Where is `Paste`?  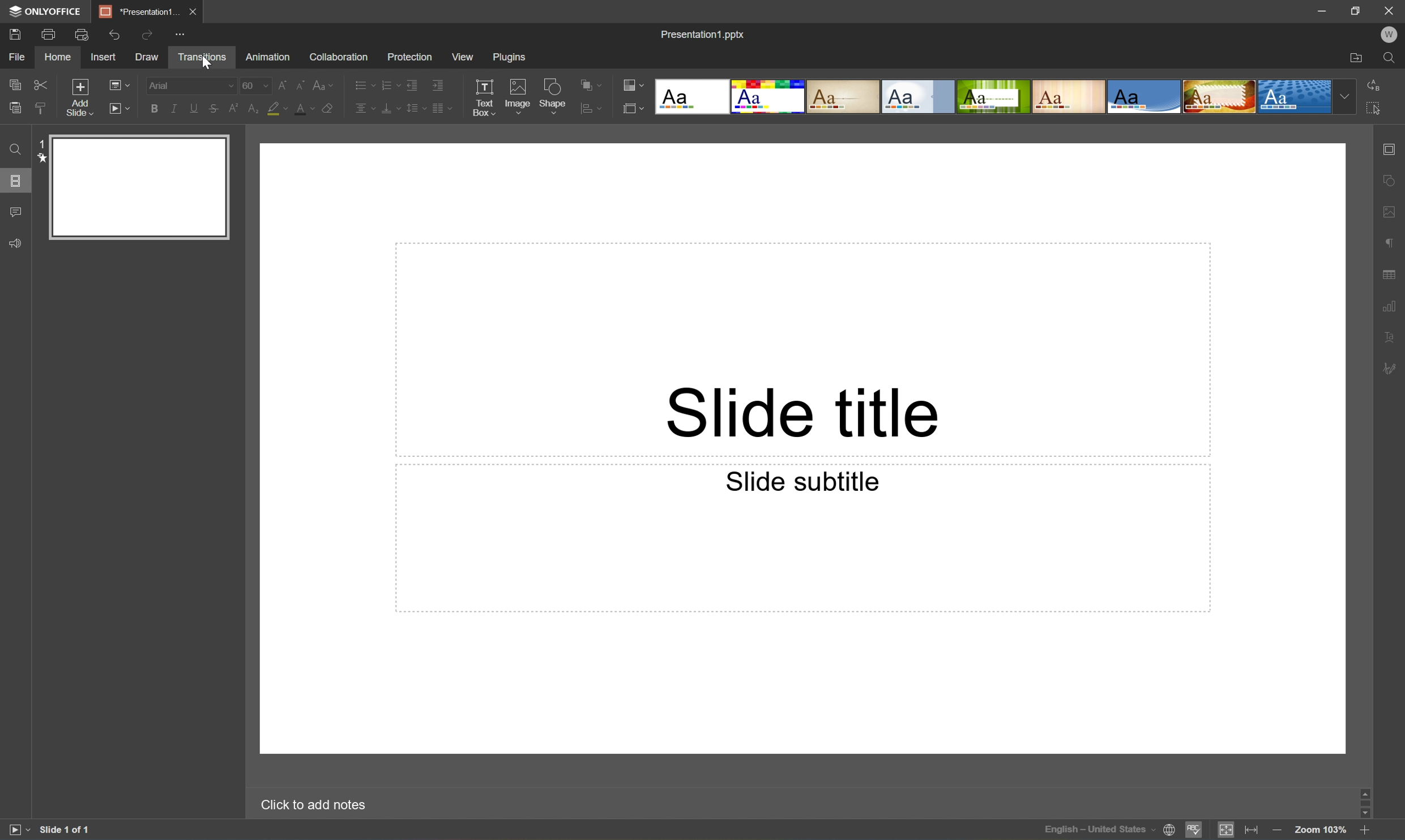 Paste is located at coordinates (18, 108).